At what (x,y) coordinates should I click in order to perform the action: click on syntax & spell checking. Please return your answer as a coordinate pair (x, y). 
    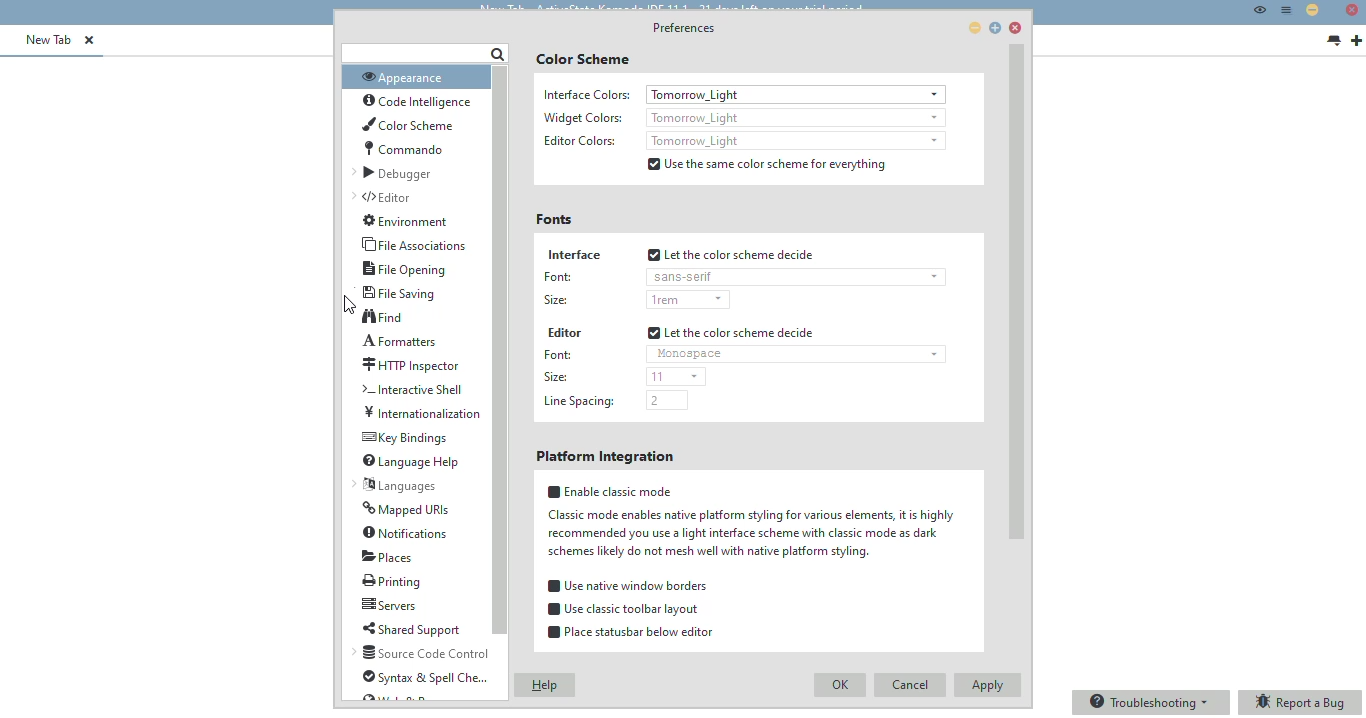
    Looking at the image, I should click on (425, 677).